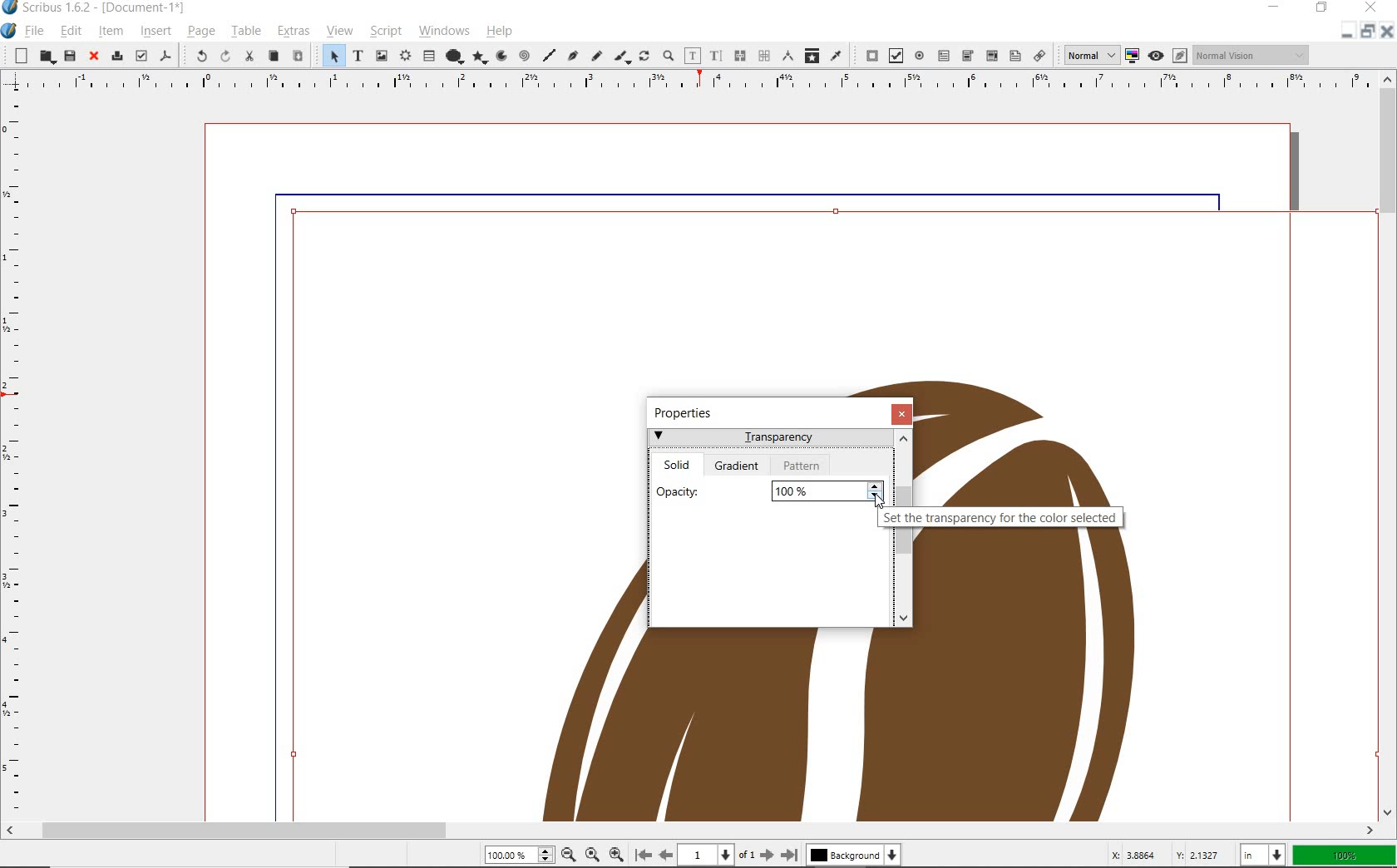 The image size is (1397, 868). What do you see at coordinates (881, 502) in the screenshot?
I see `Cursor Position` at bounding box center [881, 502].